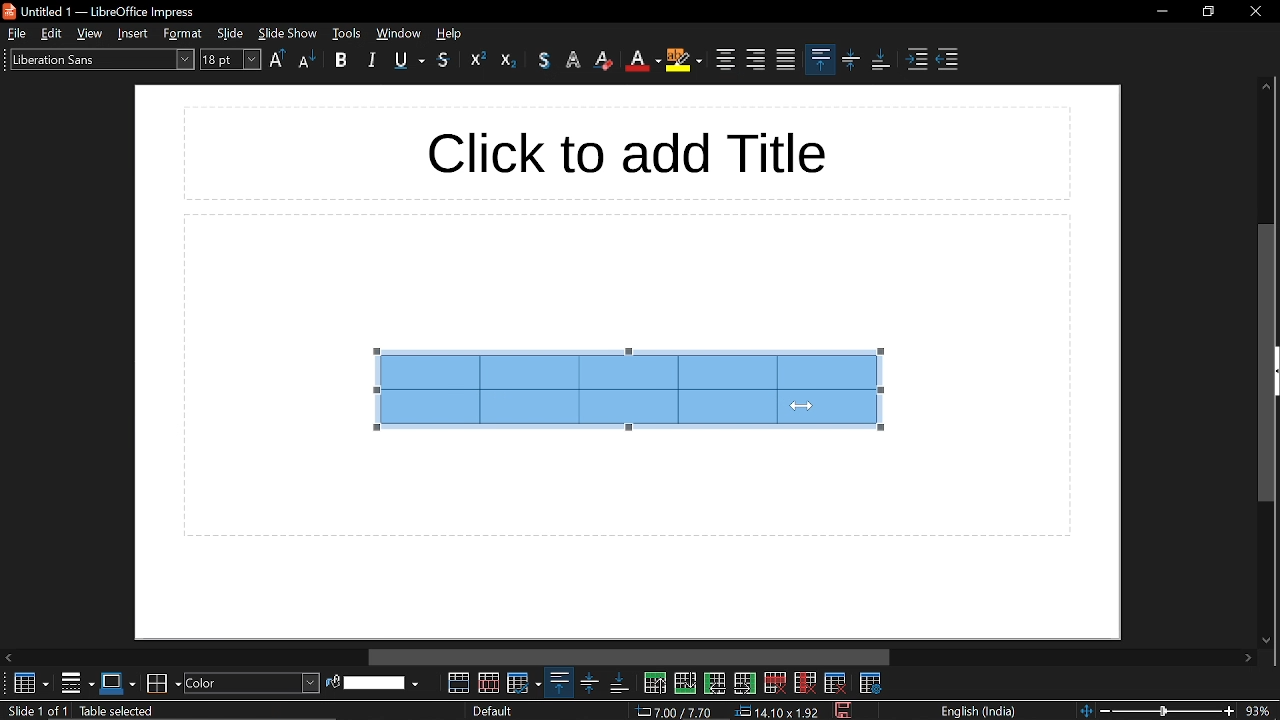  What do you see at coordinates (685, 60) in the screenshot?
I see `highlight` at bounding box center [685, 60].